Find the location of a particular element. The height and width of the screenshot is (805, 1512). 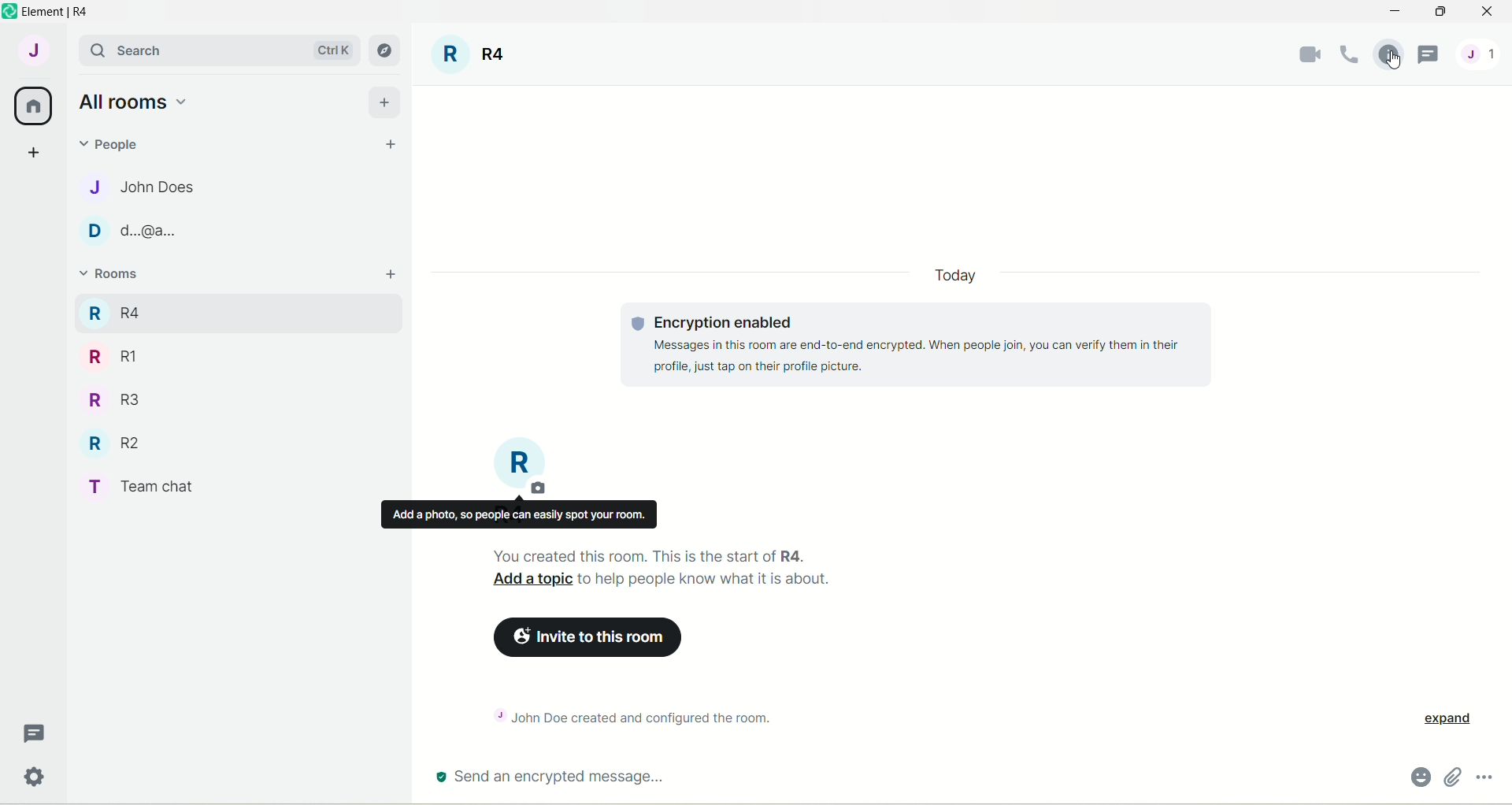

create a space is located at coordinates (32, 151).